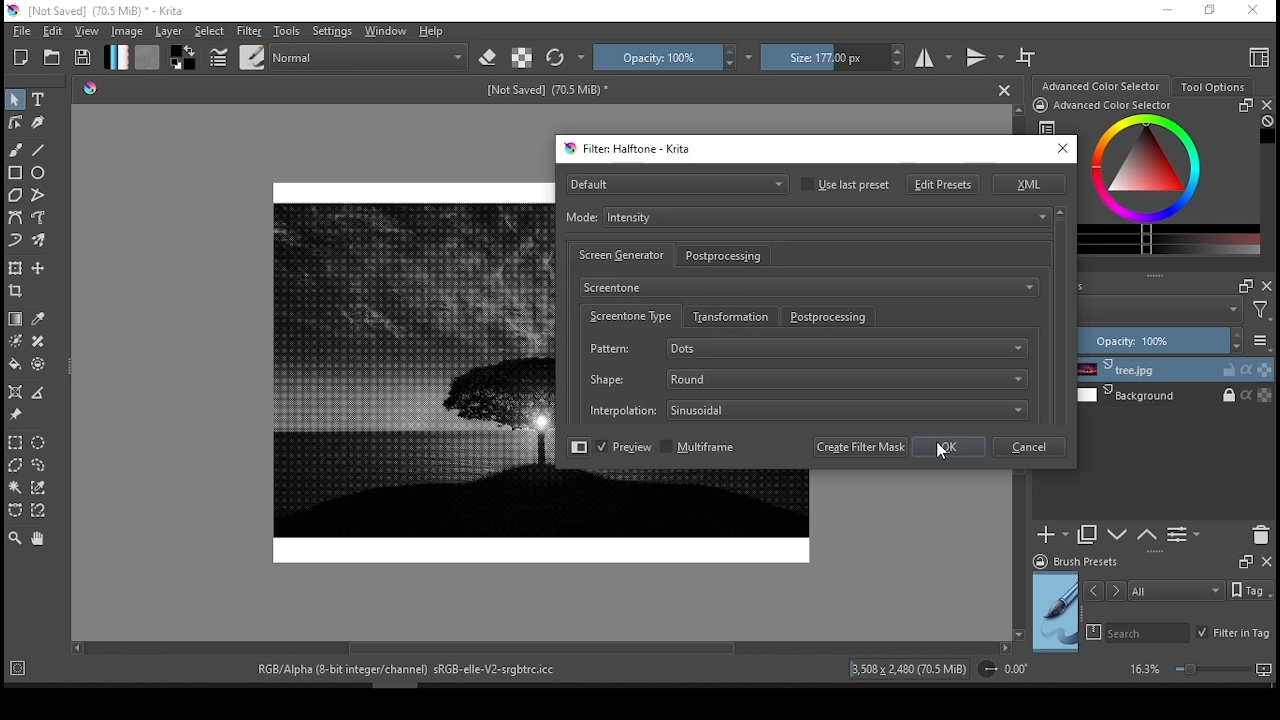 The height and width of the screenshot is (720, 1280). Describe the element at coordinates (38, 487) in the screenshot. I see `similar color selection tool` at that location.